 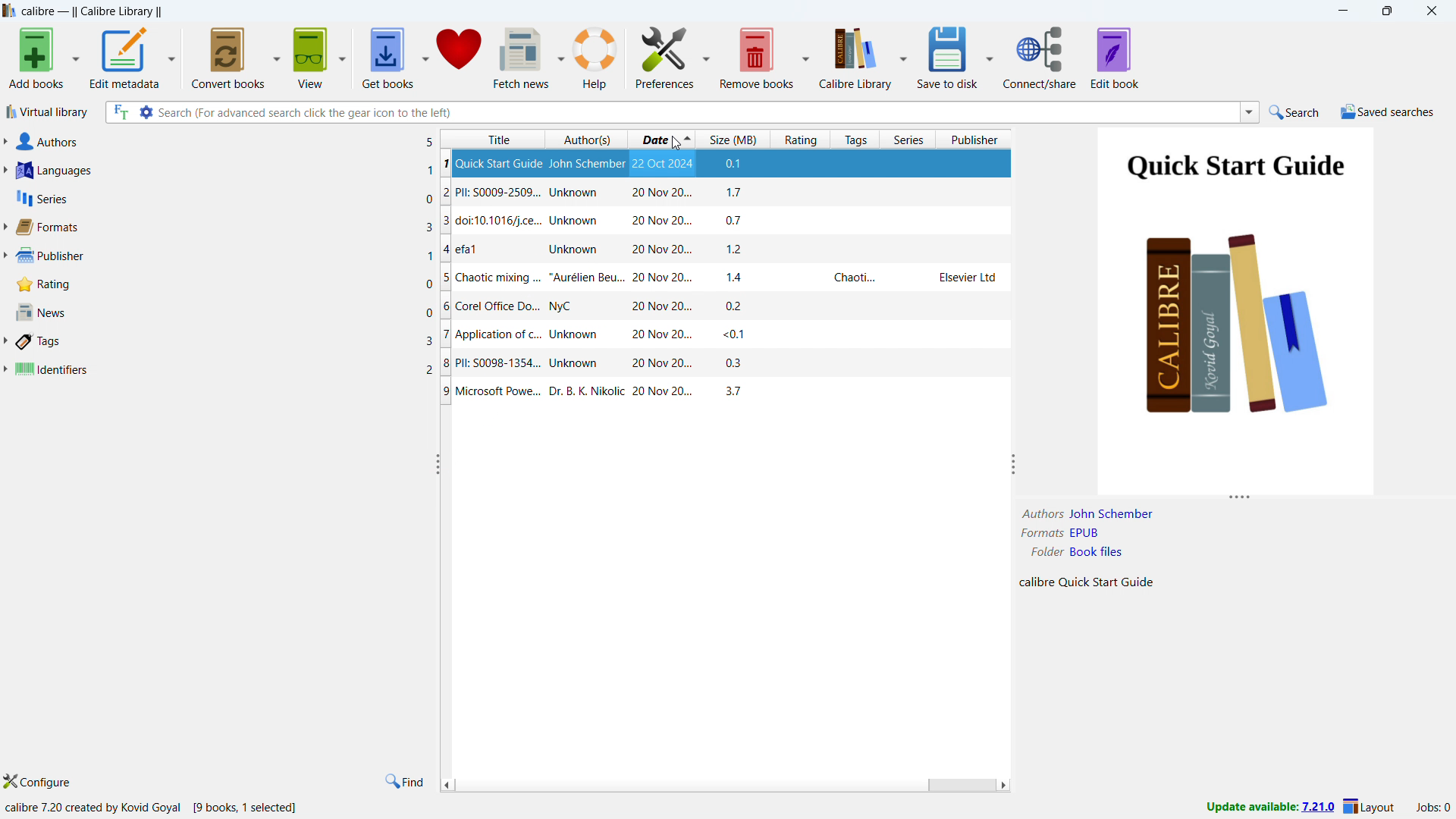 I want to click on title, so click(x=492, y=140).